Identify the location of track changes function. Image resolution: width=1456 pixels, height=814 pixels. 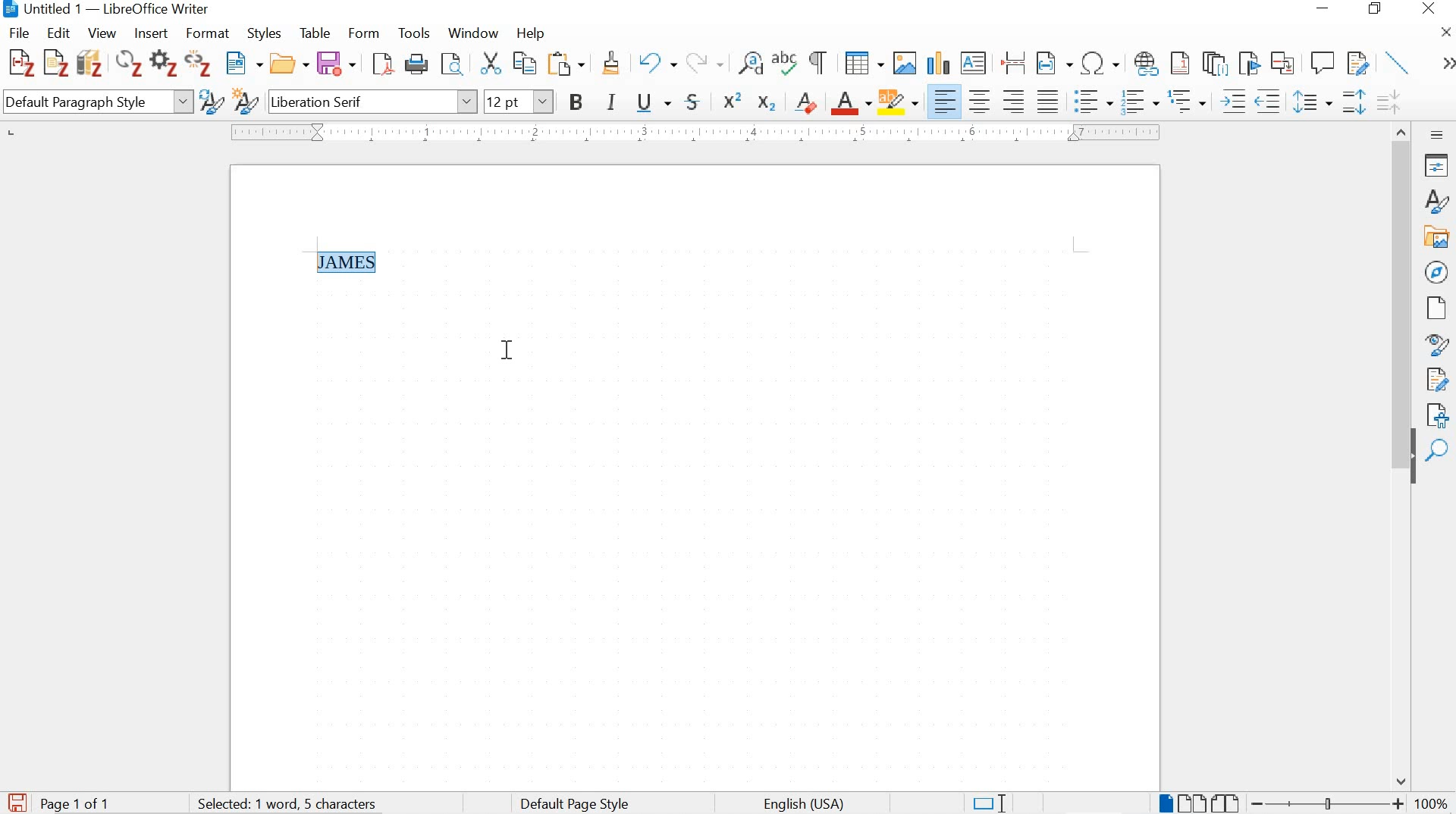
(1355, 61).